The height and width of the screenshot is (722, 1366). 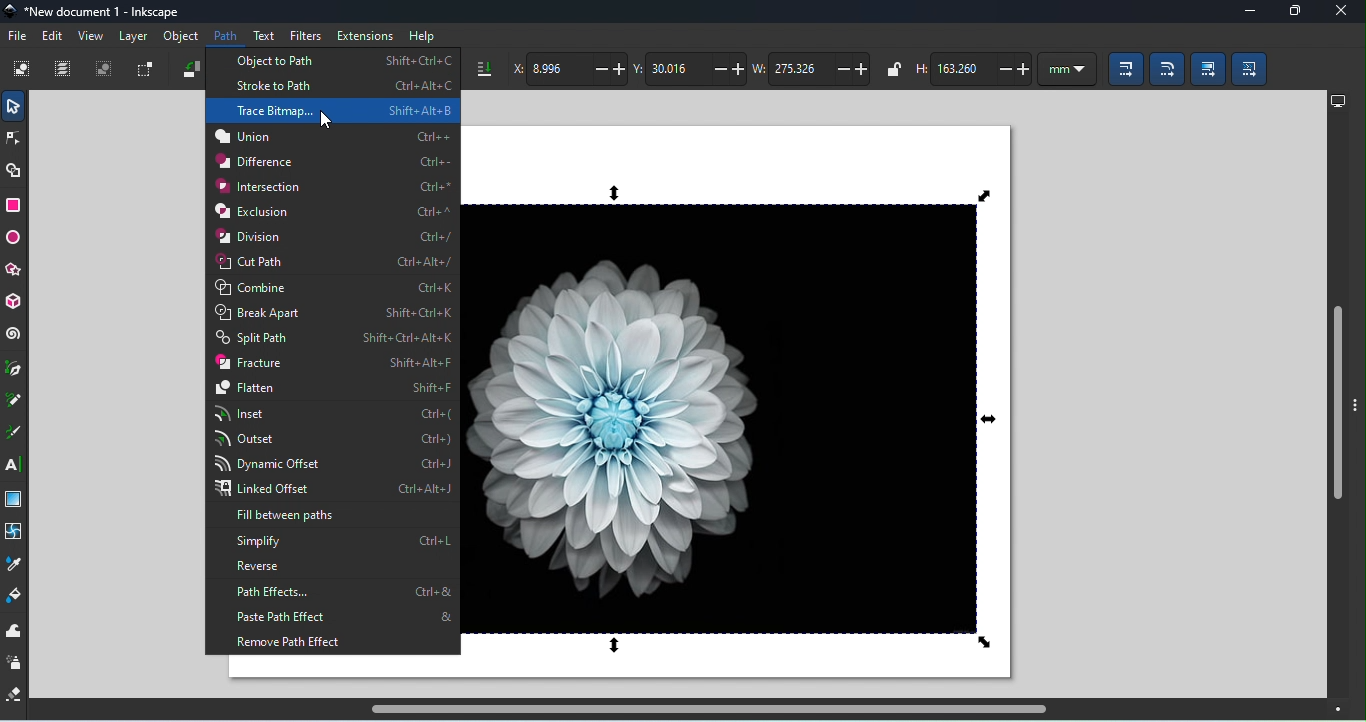 I want to click on 3D box tool, so click(x=13, y=302).